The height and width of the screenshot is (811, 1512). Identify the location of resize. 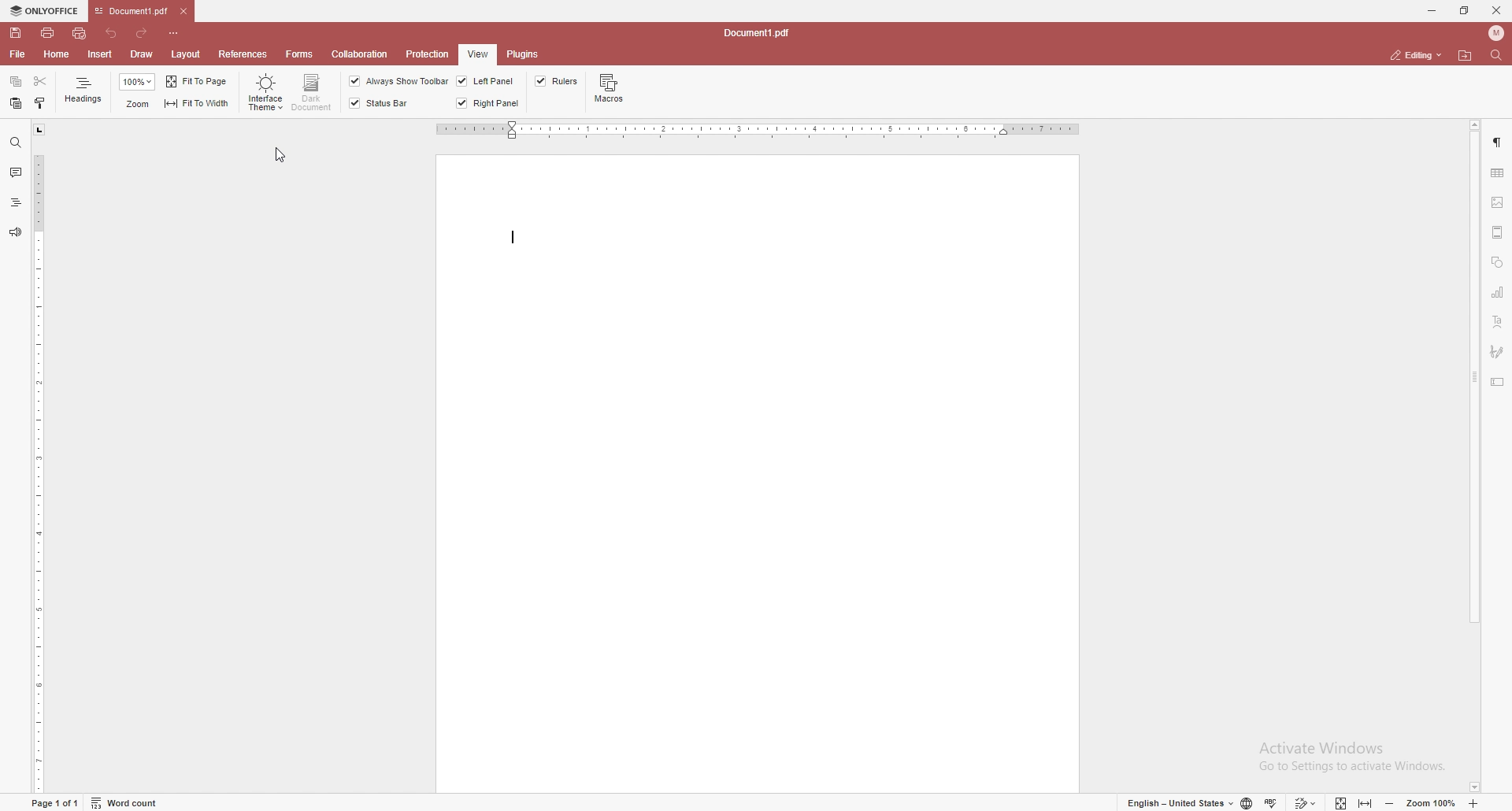
(1464, 10).